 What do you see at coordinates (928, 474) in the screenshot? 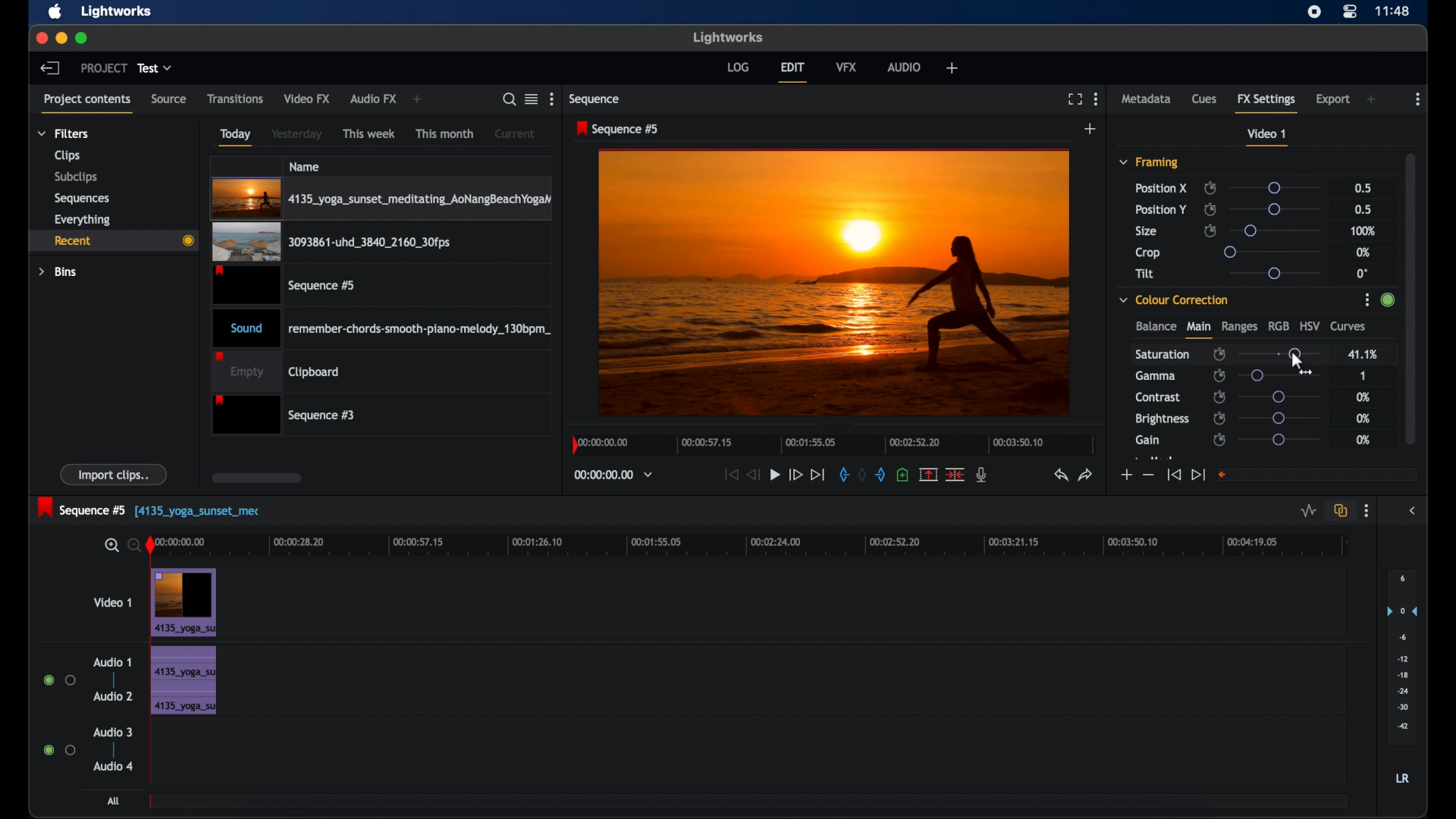
I see `split` at bounding box center [928, 474].